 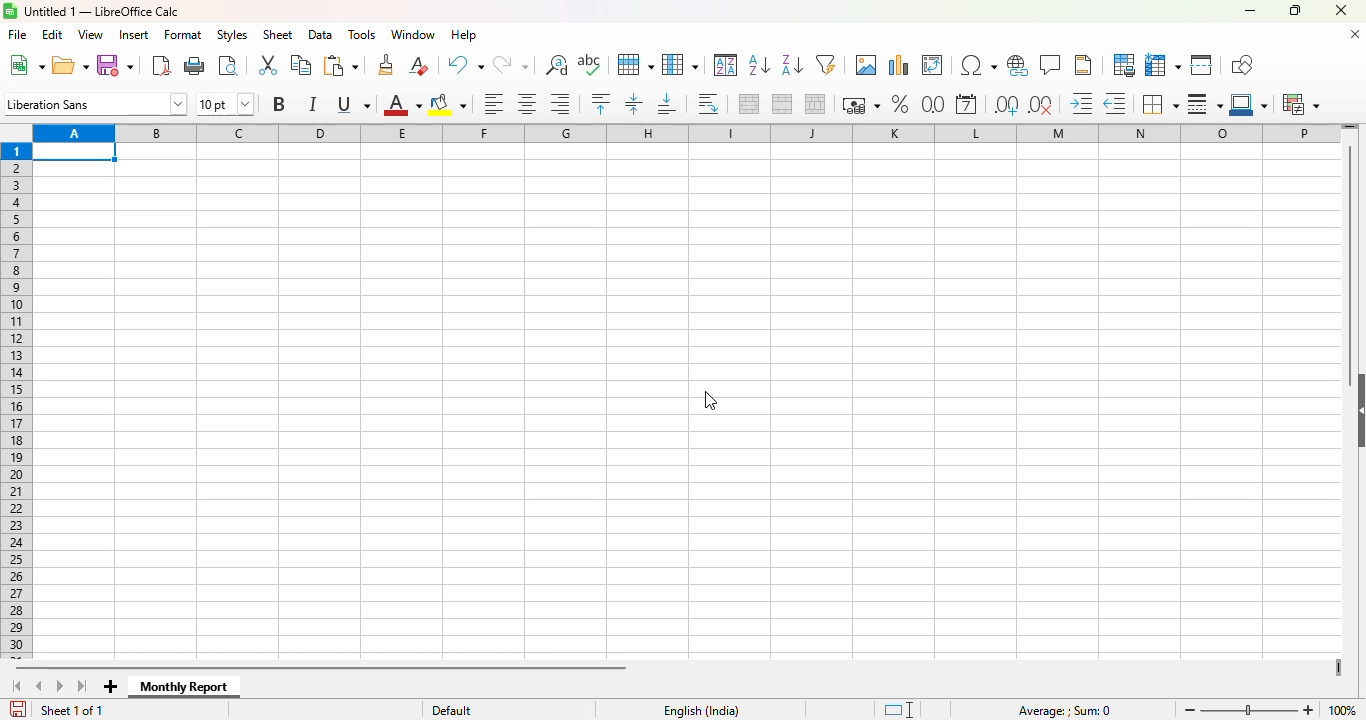 I want to click on print, so click(x=195, y=66).